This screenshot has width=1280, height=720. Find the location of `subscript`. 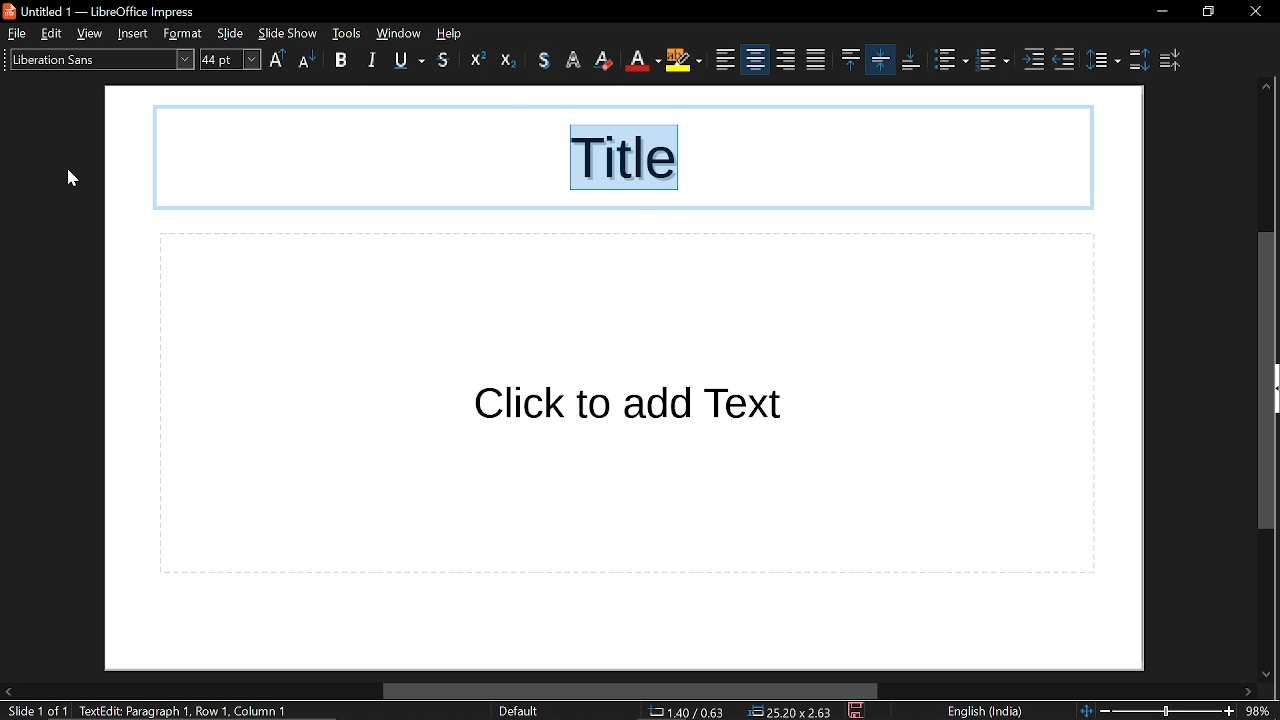

subscript is located at coordinates (508, 60).